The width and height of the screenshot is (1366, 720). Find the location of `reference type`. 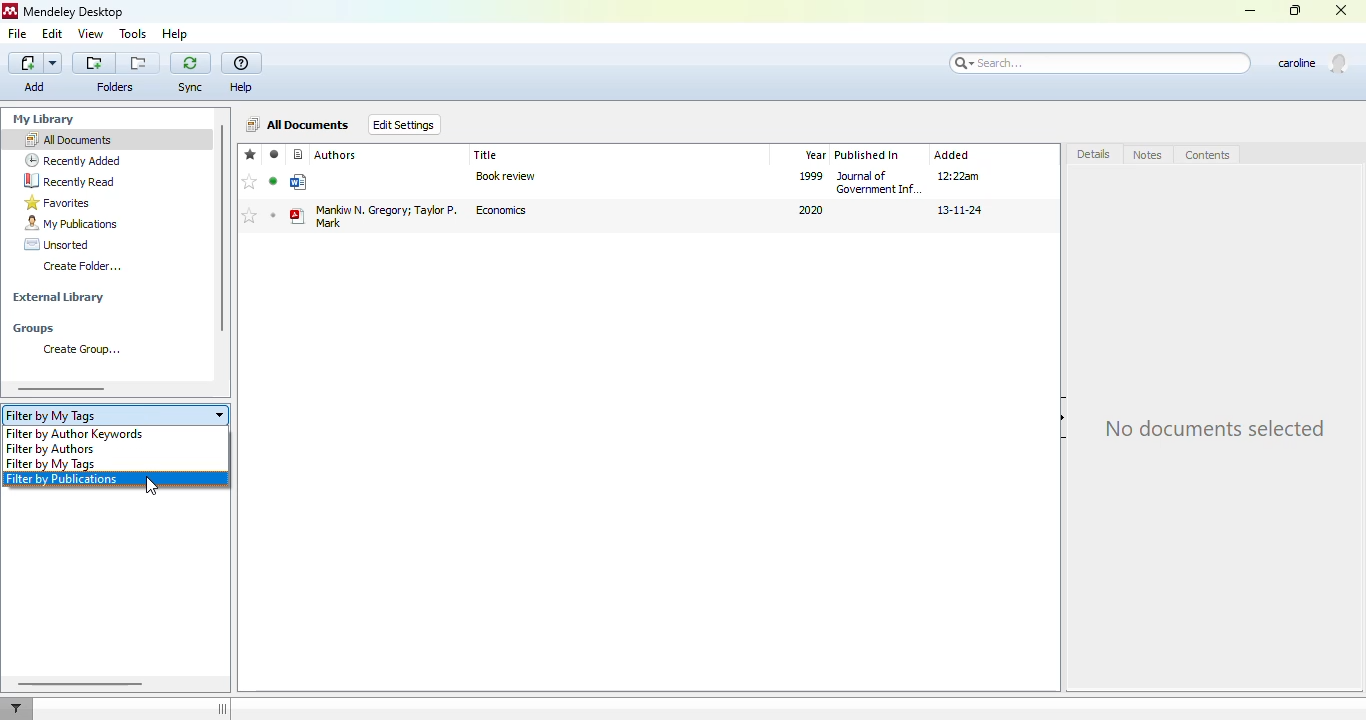

reference type is located at coordinates (299, 154).